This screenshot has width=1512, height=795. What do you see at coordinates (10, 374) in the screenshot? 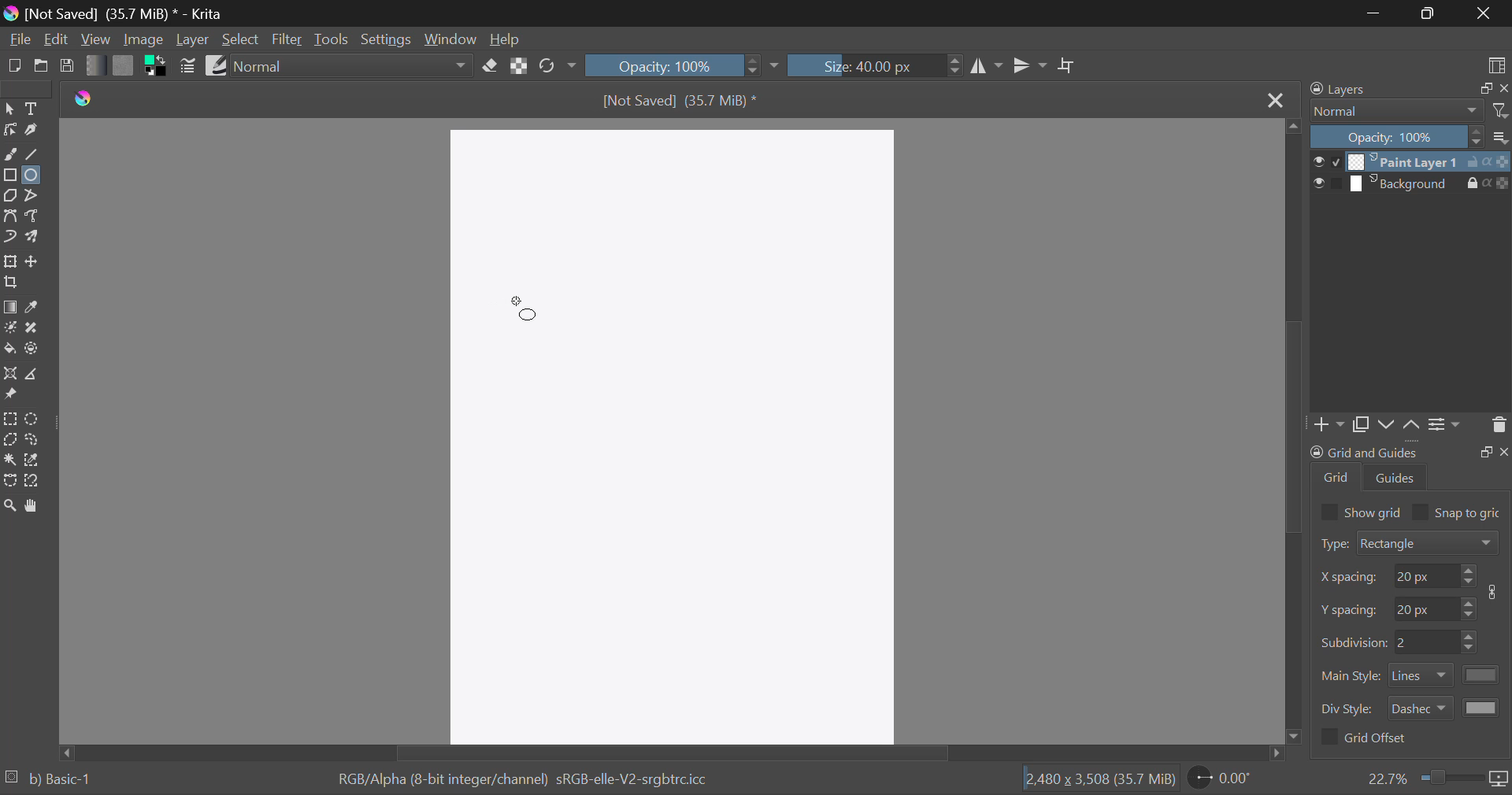
I see `Assistant Tool` at bounding box center [10, 374].